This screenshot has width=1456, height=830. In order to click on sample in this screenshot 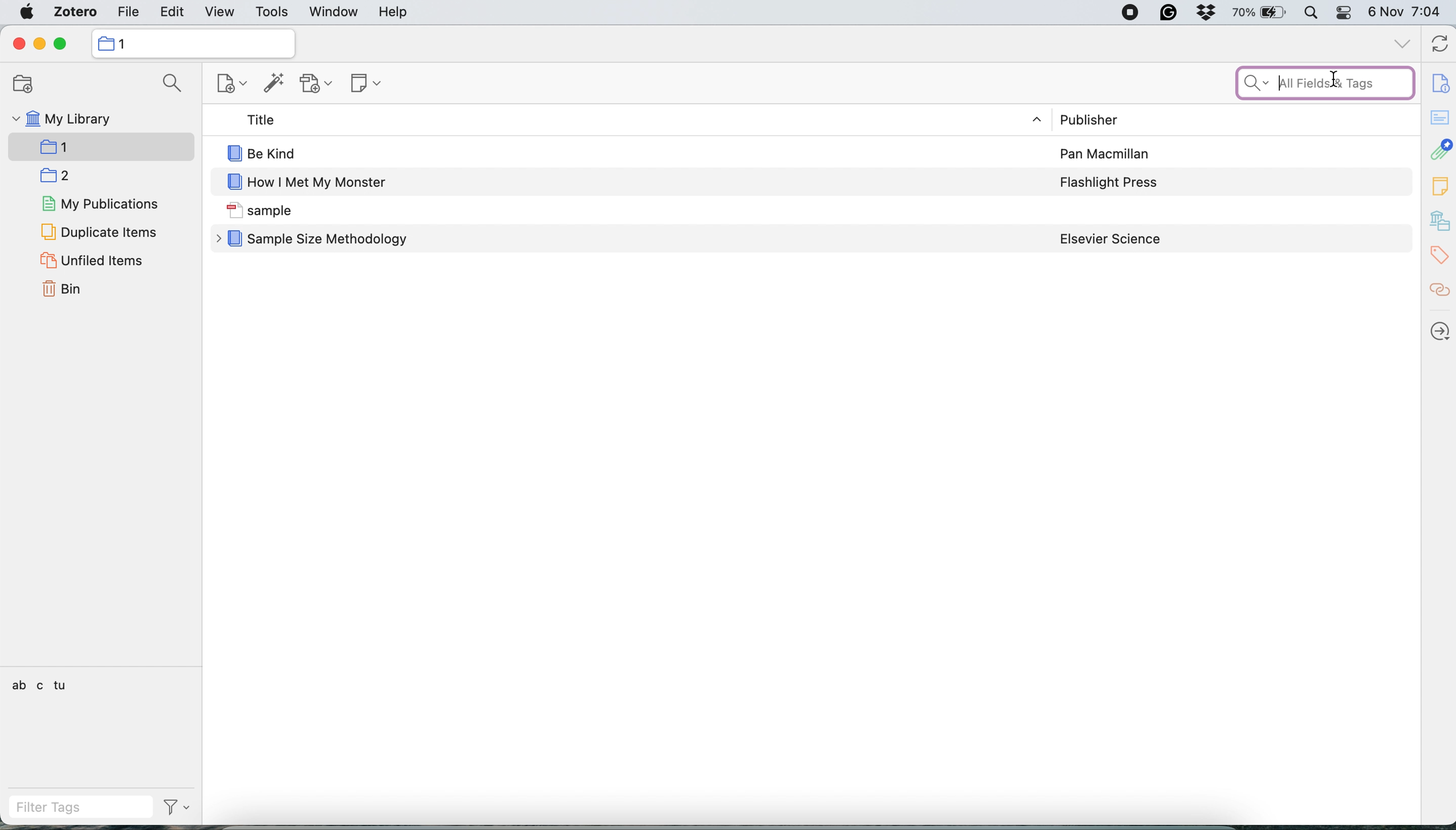, I will do `click(282, 211)`.